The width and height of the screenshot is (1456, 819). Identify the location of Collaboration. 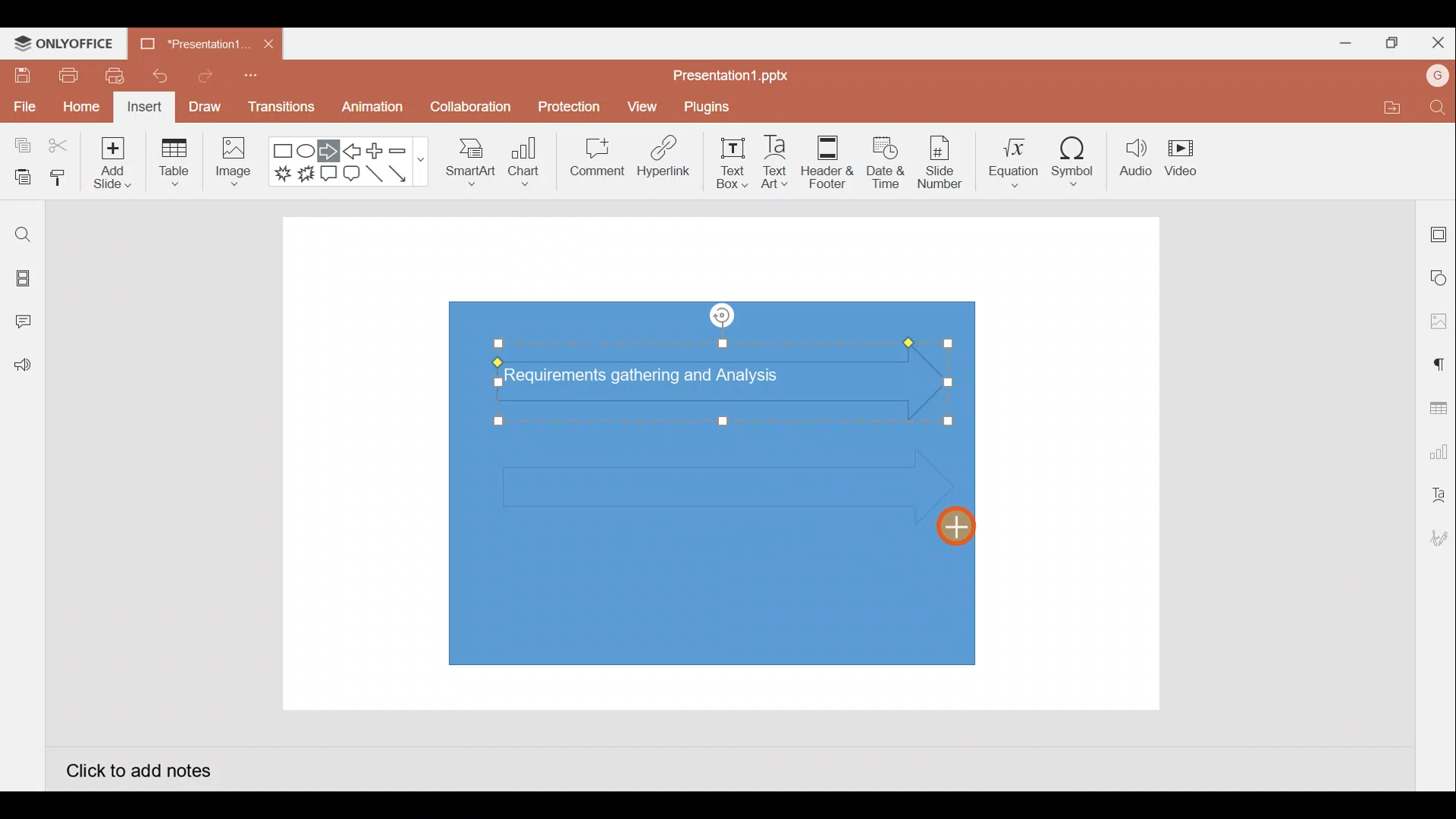
(469, 113).